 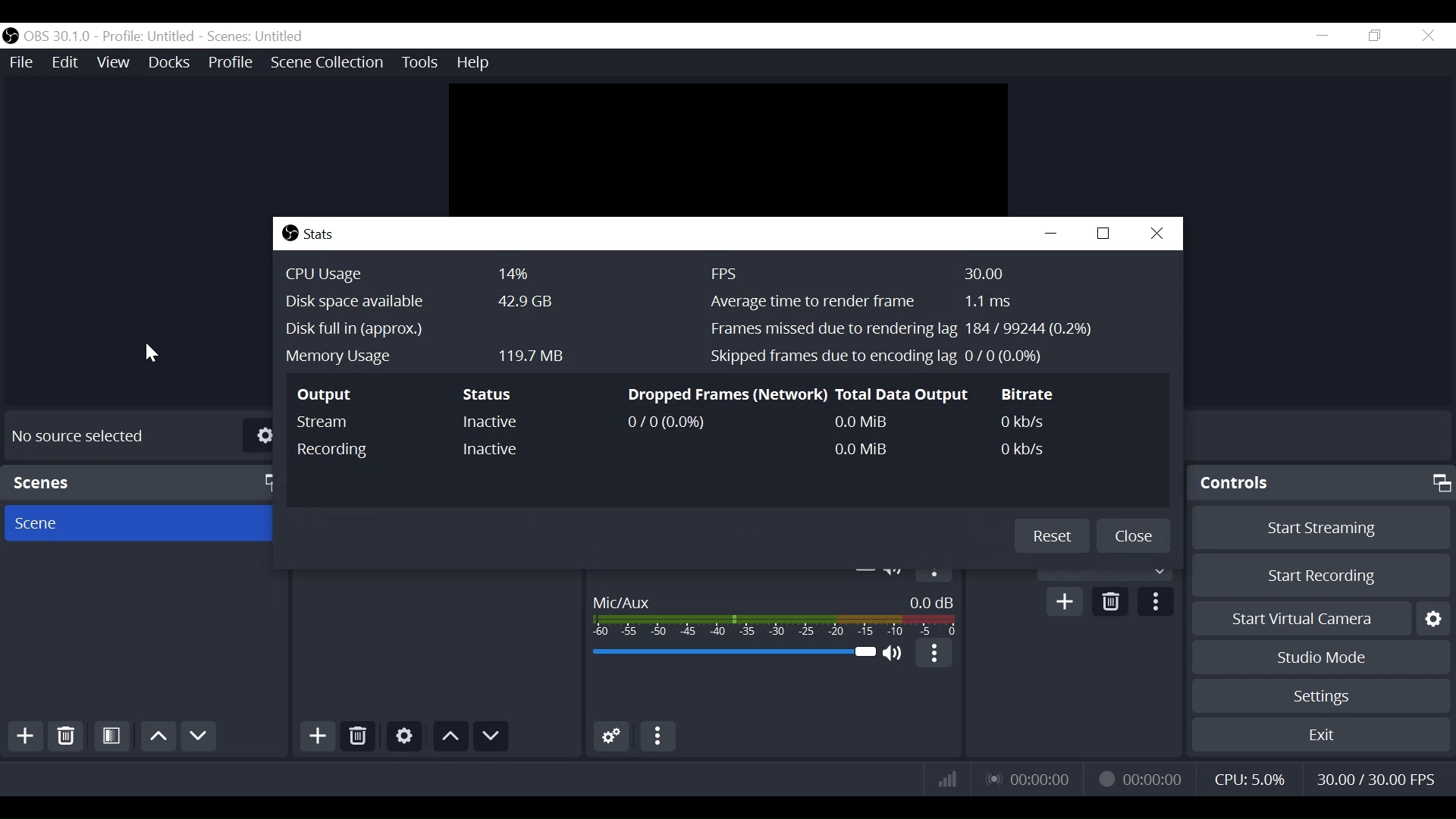 I want to click on Frame Per Second, so click(x=1375, y=780).